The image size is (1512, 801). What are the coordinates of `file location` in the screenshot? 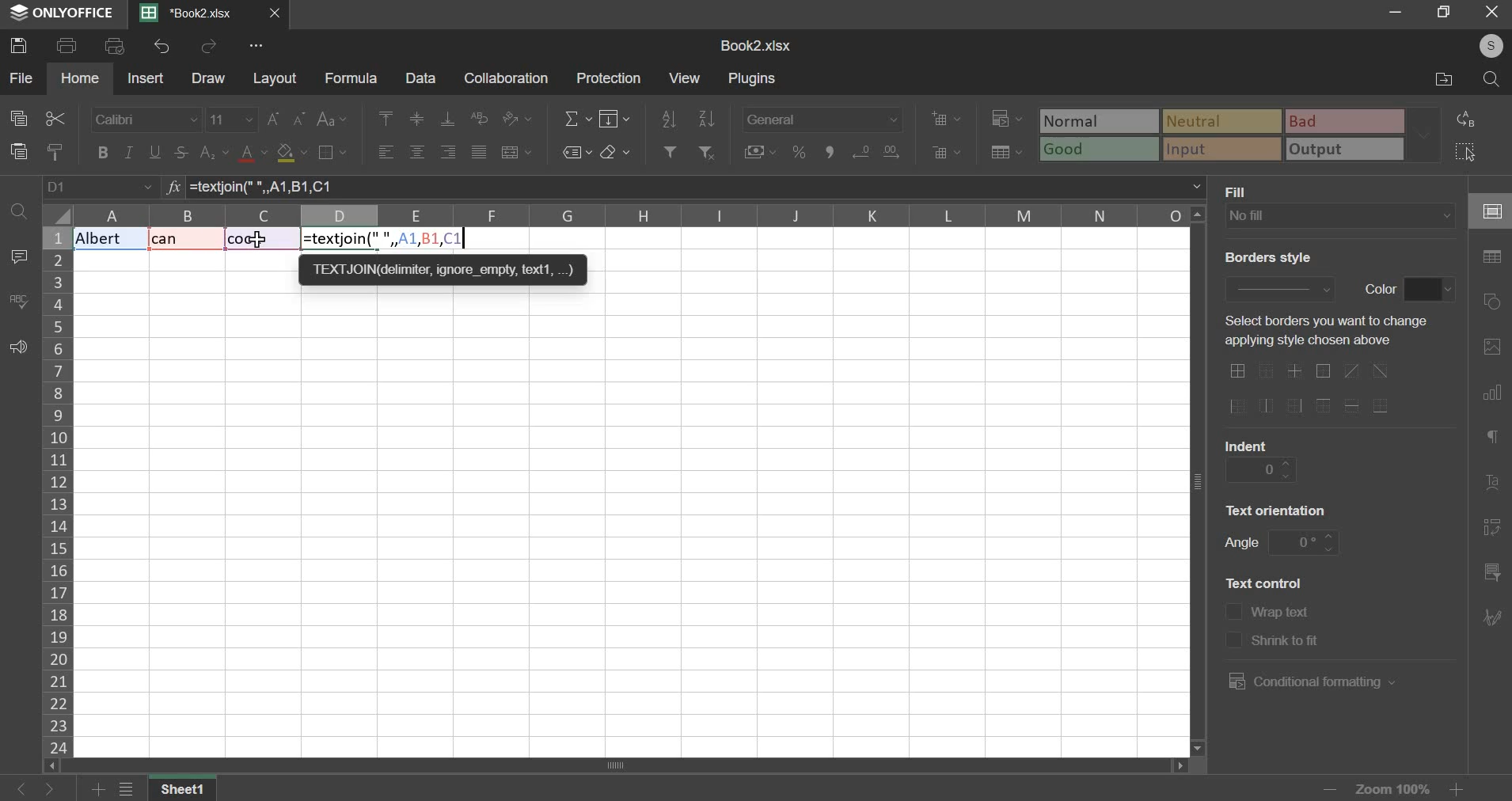 It's located at (1442, 81).